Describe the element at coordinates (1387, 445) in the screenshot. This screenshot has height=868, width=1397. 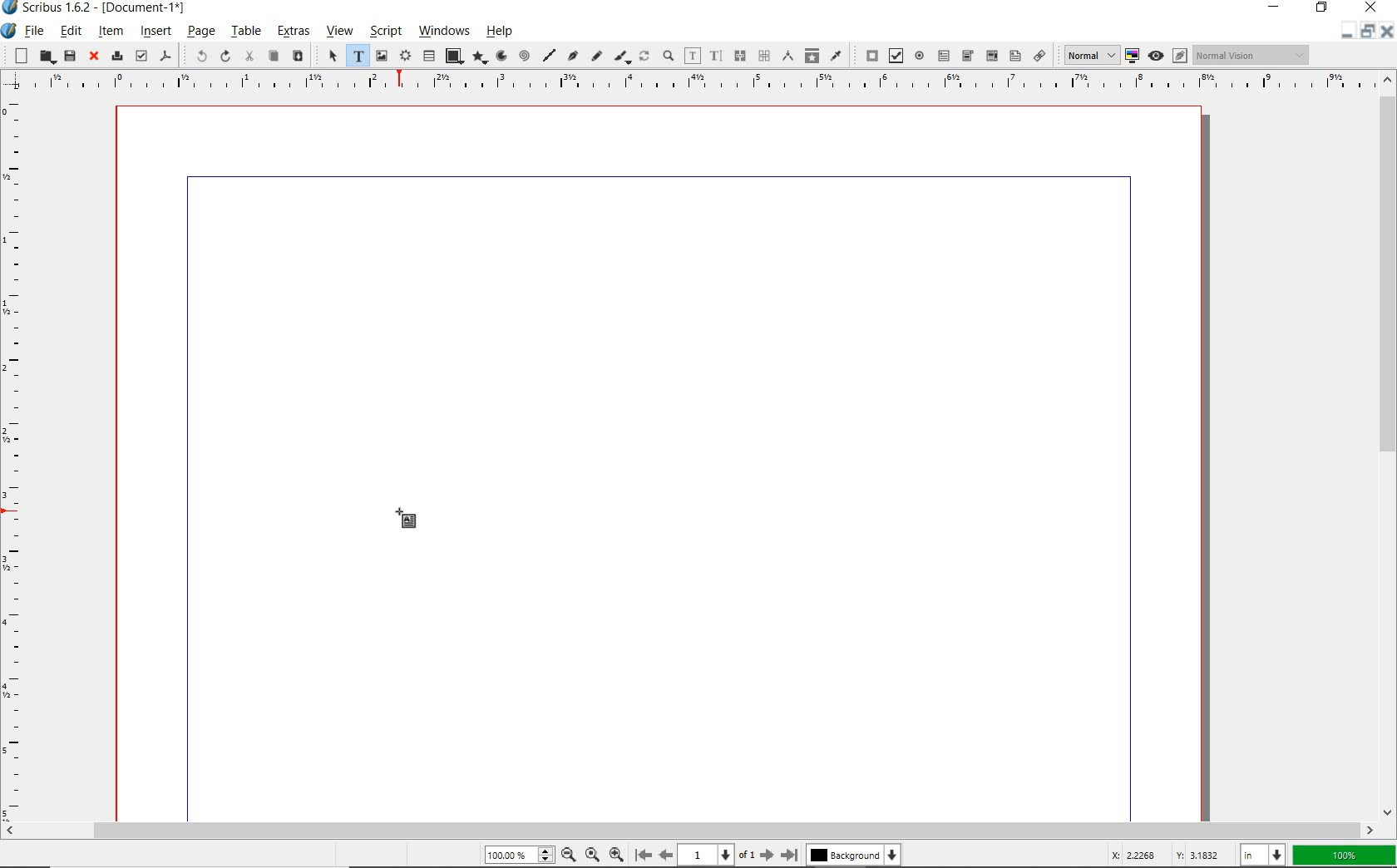
I see `scrollbar` at that location.